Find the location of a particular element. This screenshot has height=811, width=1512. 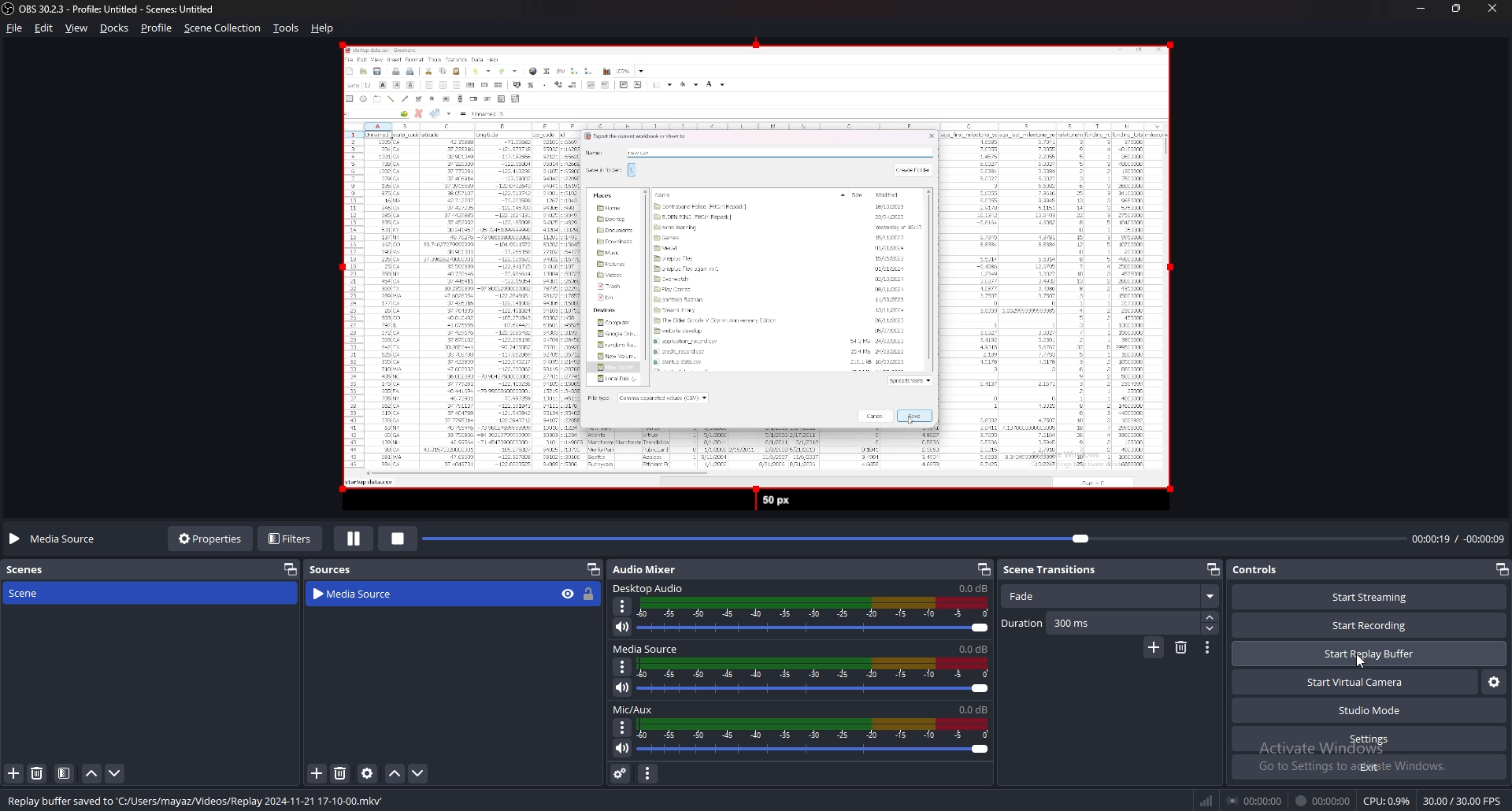

start streaming is located at coordinates (1371, 596).